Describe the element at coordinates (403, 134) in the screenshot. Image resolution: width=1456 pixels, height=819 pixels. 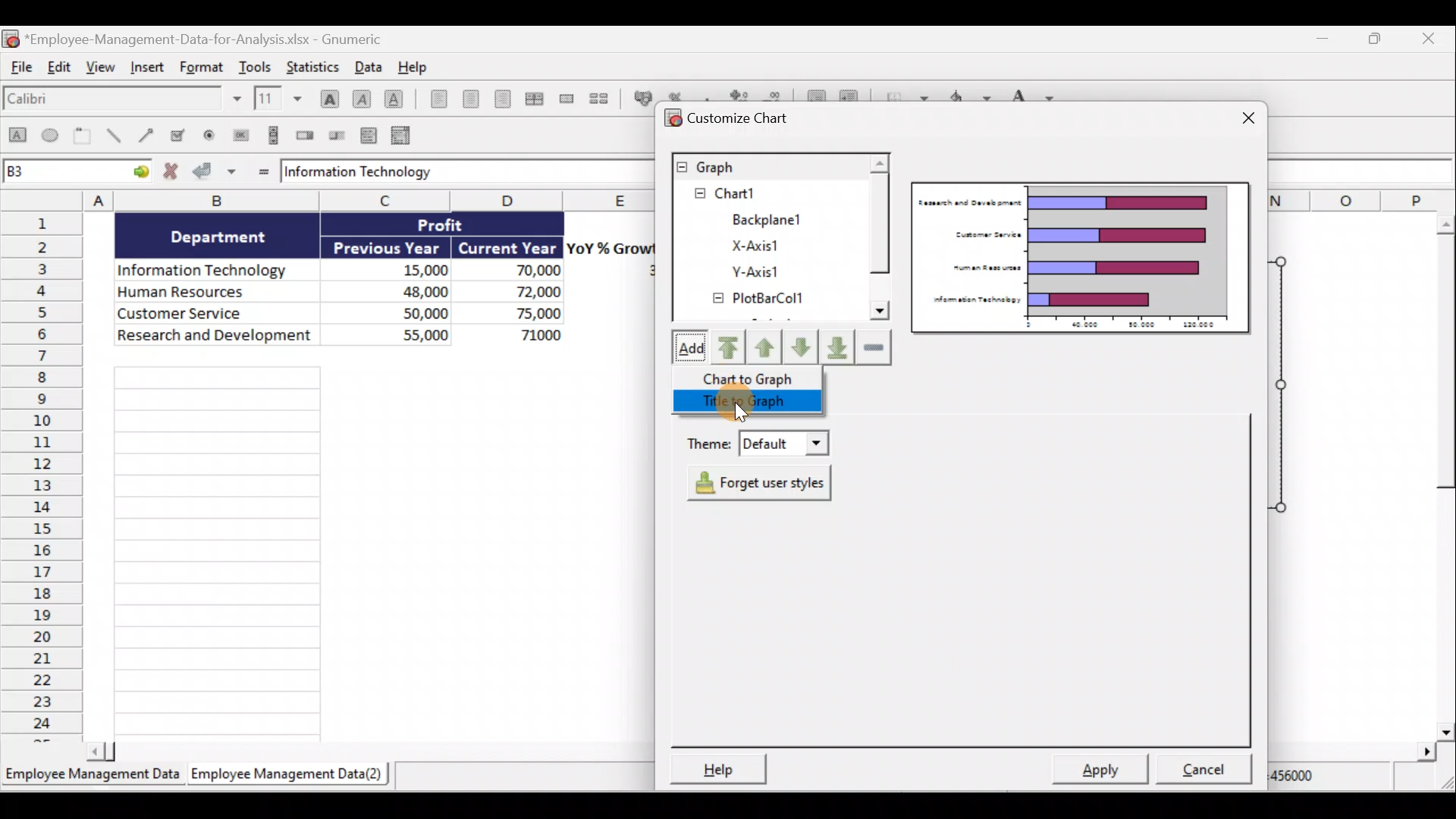
I see `Create a combo box` at that location.